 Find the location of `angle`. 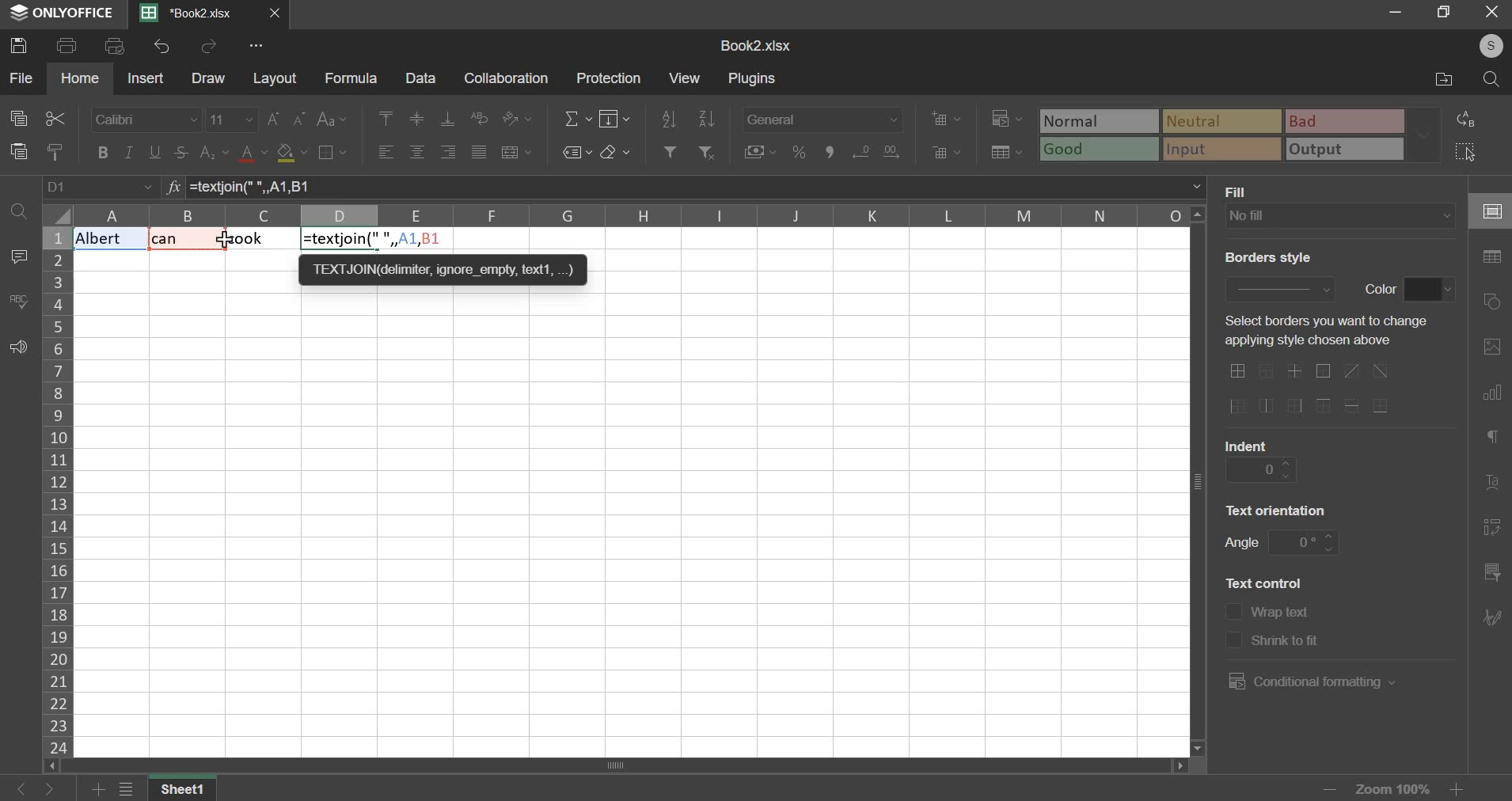

angle is located at coordinates (1305, 541).